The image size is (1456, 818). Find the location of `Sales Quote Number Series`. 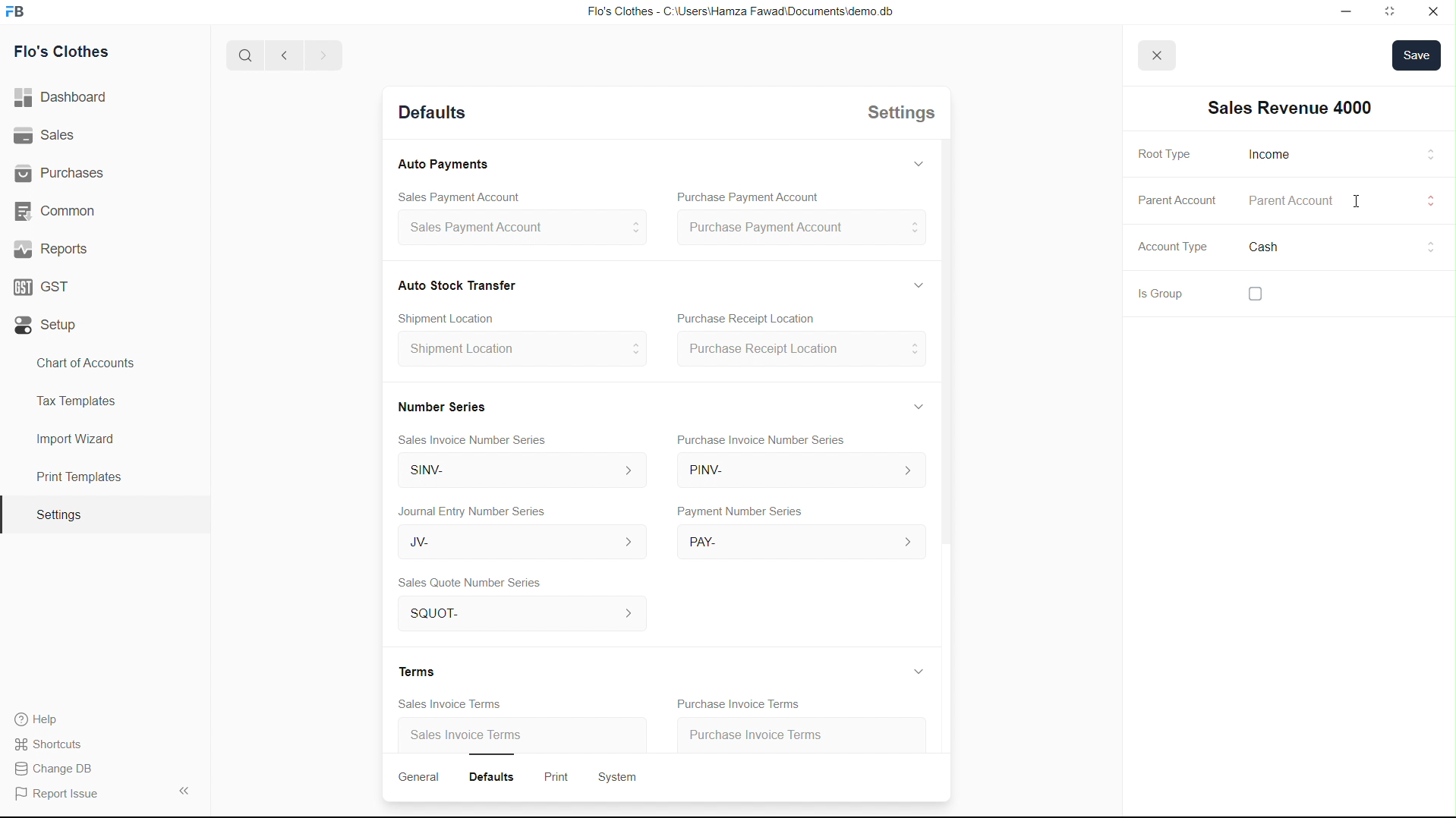

Sales Quote Number Series is located at coordinates (470, 584).